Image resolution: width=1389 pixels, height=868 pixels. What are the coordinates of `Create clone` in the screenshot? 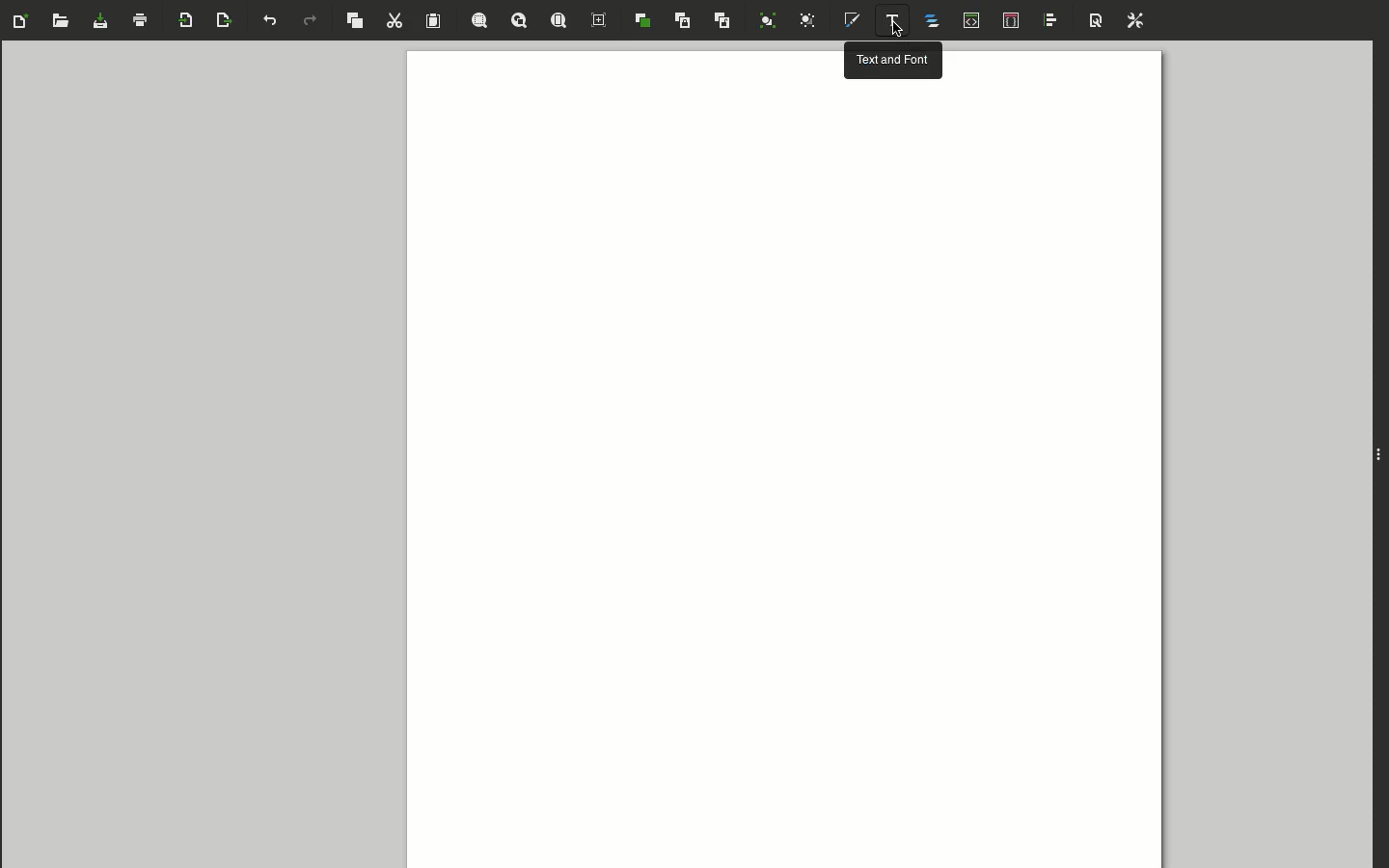 It's located at (684, 22).